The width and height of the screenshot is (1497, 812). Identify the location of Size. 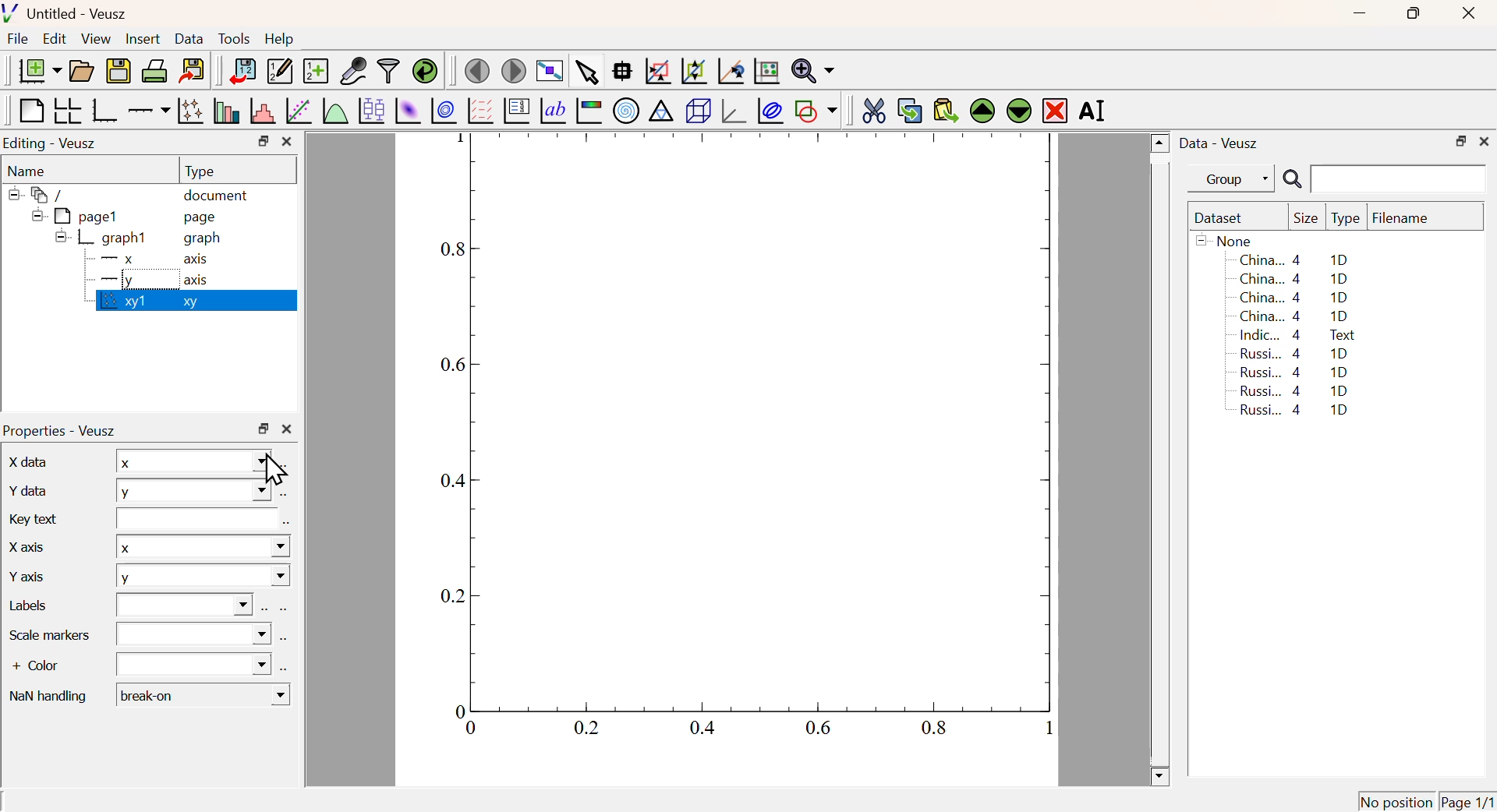
(1306, 219).